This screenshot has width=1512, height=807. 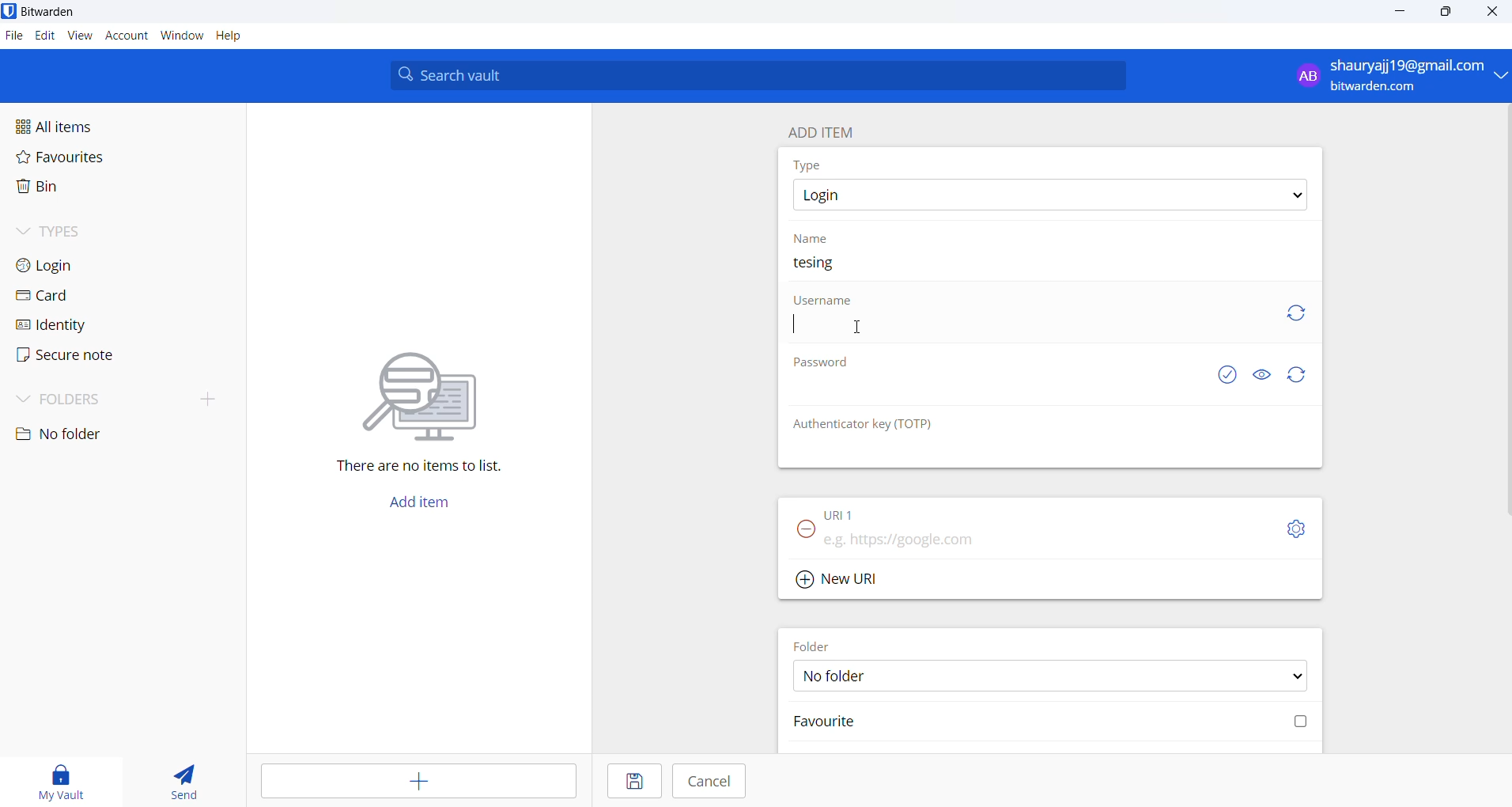 I want to click on Mark folder favorite checkbox, so click(x=1048, y=723).